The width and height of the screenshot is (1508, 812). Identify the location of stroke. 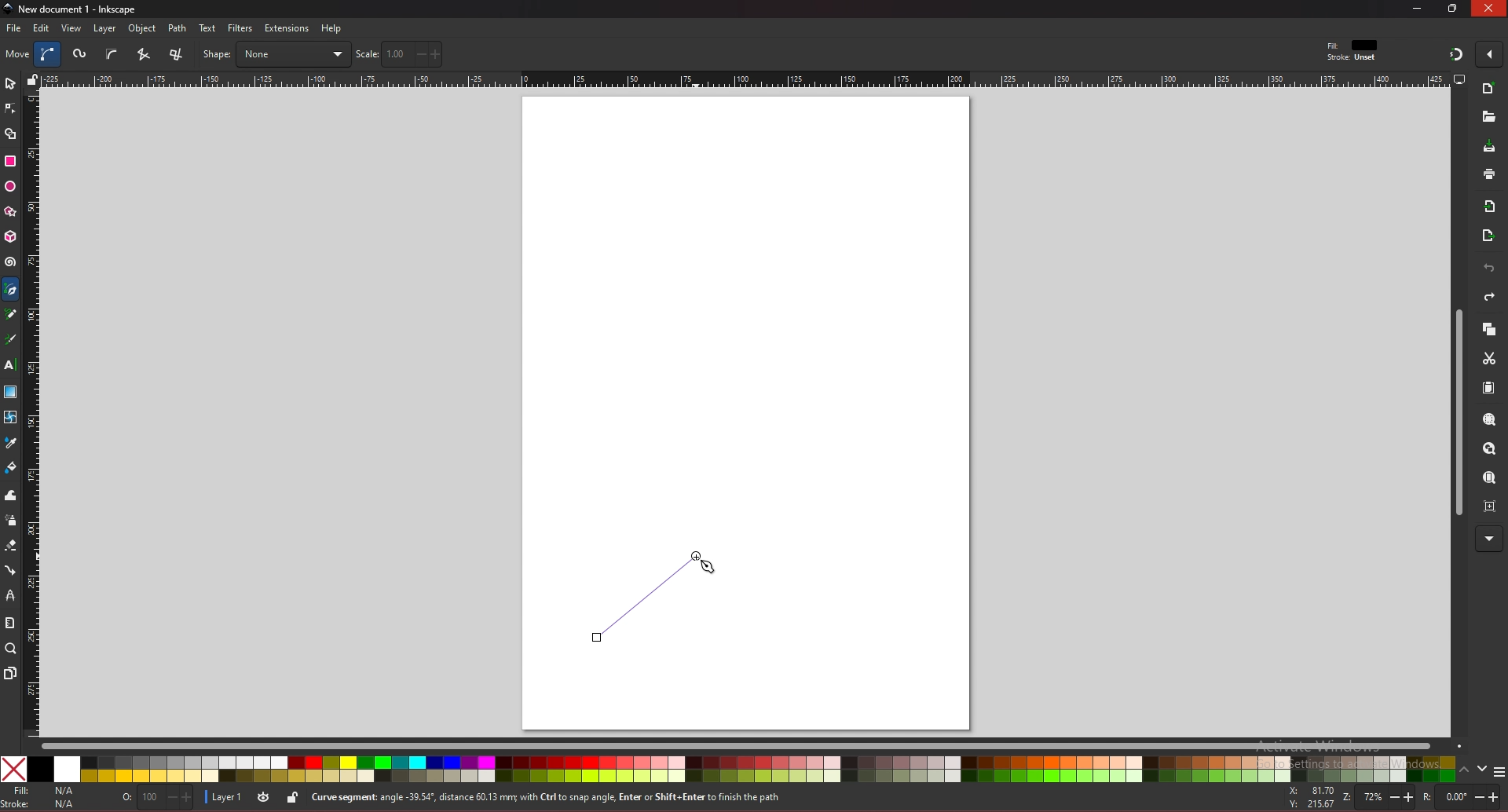
(42, 804).